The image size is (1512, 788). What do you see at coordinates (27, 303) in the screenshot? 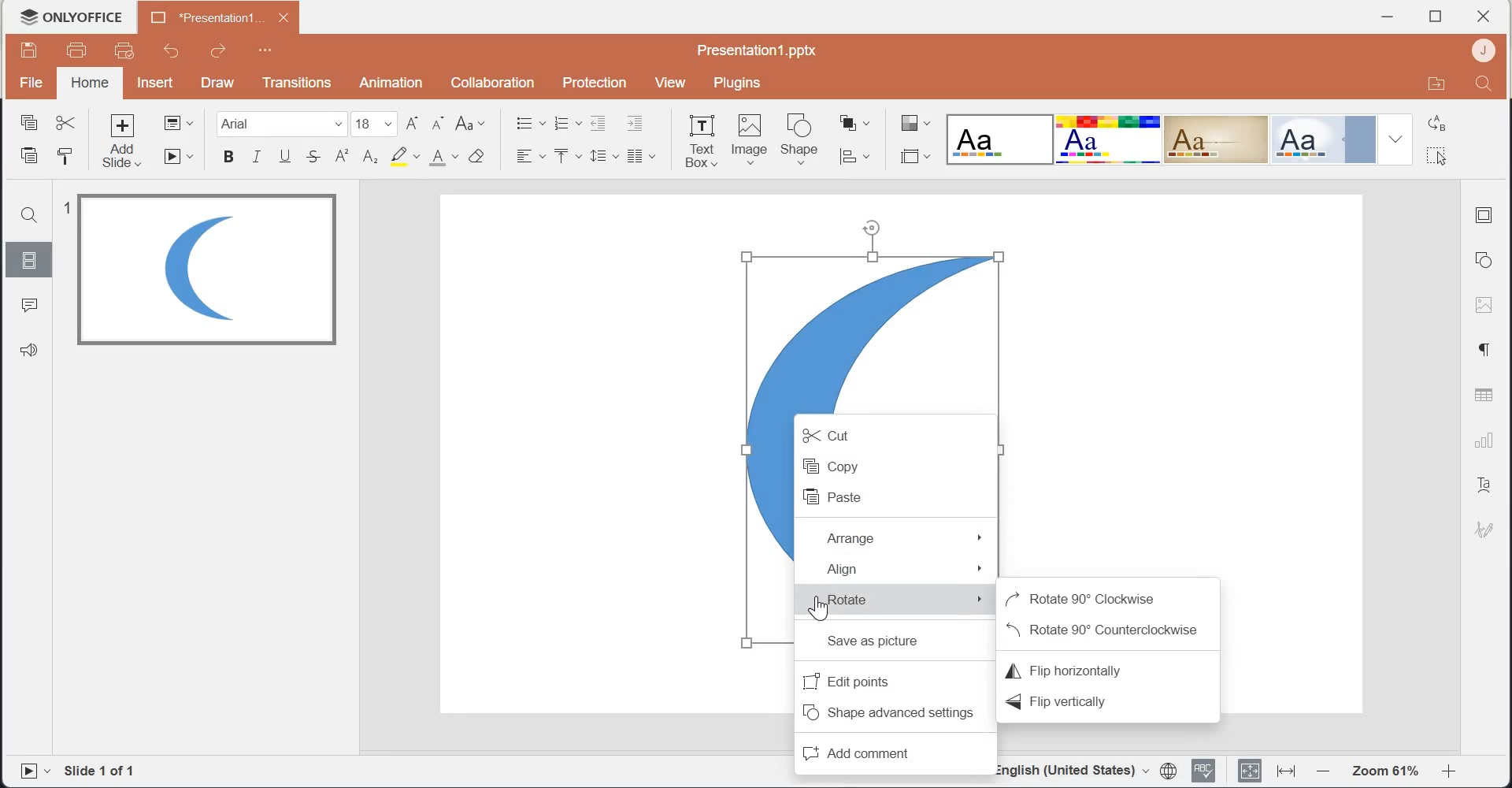
I see `Comments` at bounding box center [27, 303].